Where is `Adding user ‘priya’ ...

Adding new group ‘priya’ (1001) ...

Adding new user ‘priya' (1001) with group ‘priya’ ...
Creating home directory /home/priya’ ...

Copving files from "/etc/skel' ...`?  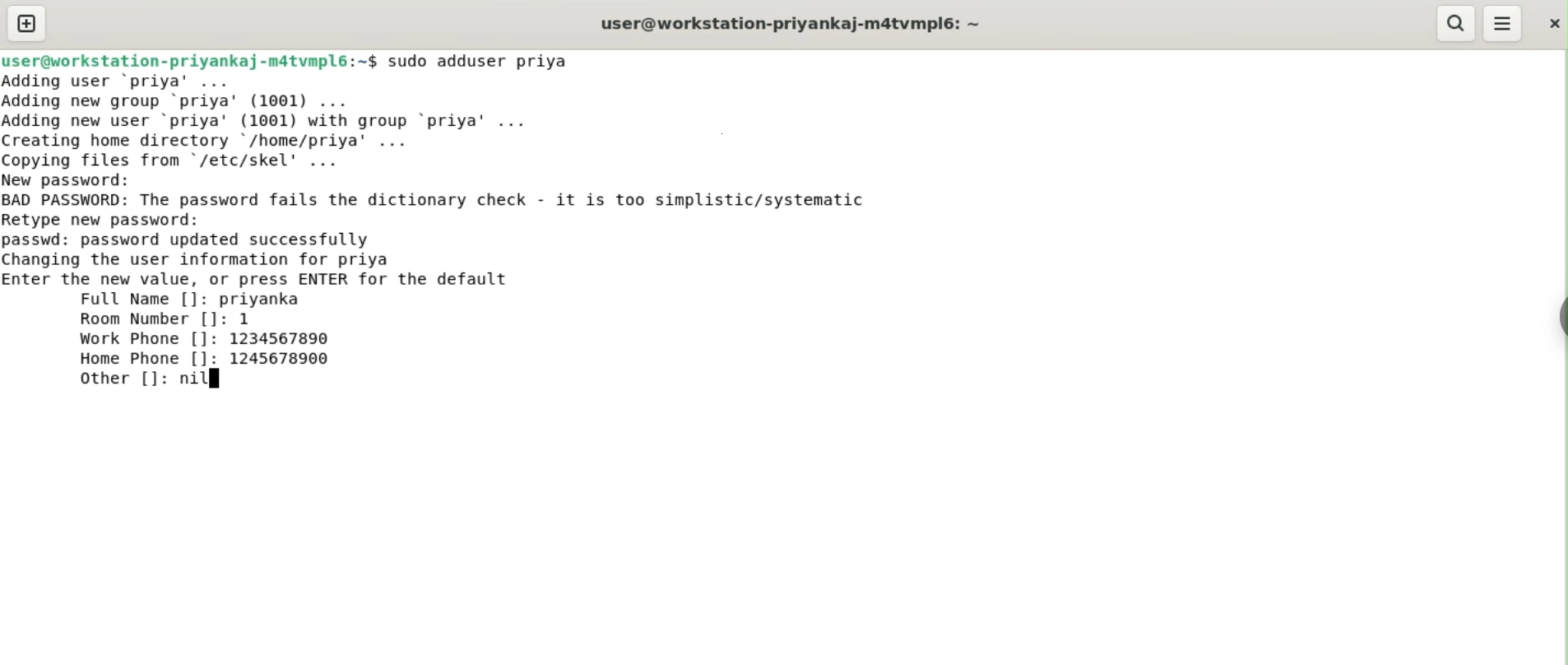
Adding user ‘priya’ ...

Adding new group ‘priya’ (1001) ...

Adding new user ‘priya' (1001) with group ‘priya’ ...
Creating home directory /home/priya’ ...

Copving files from "/etc/skel' ... is located at coordinates (318, 119).